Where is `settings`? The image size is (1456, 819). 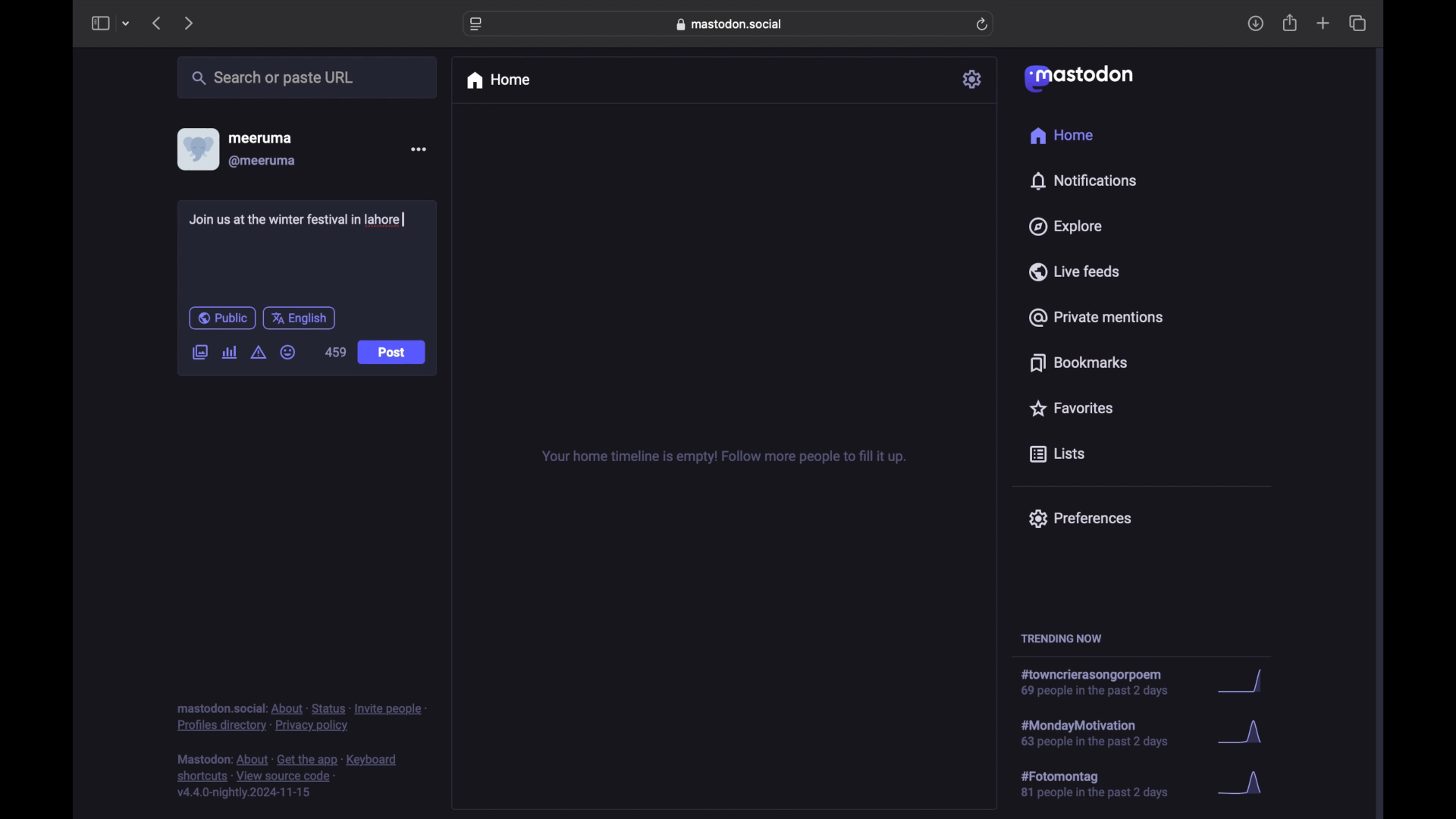 settings is located at coordinates (974, 79).